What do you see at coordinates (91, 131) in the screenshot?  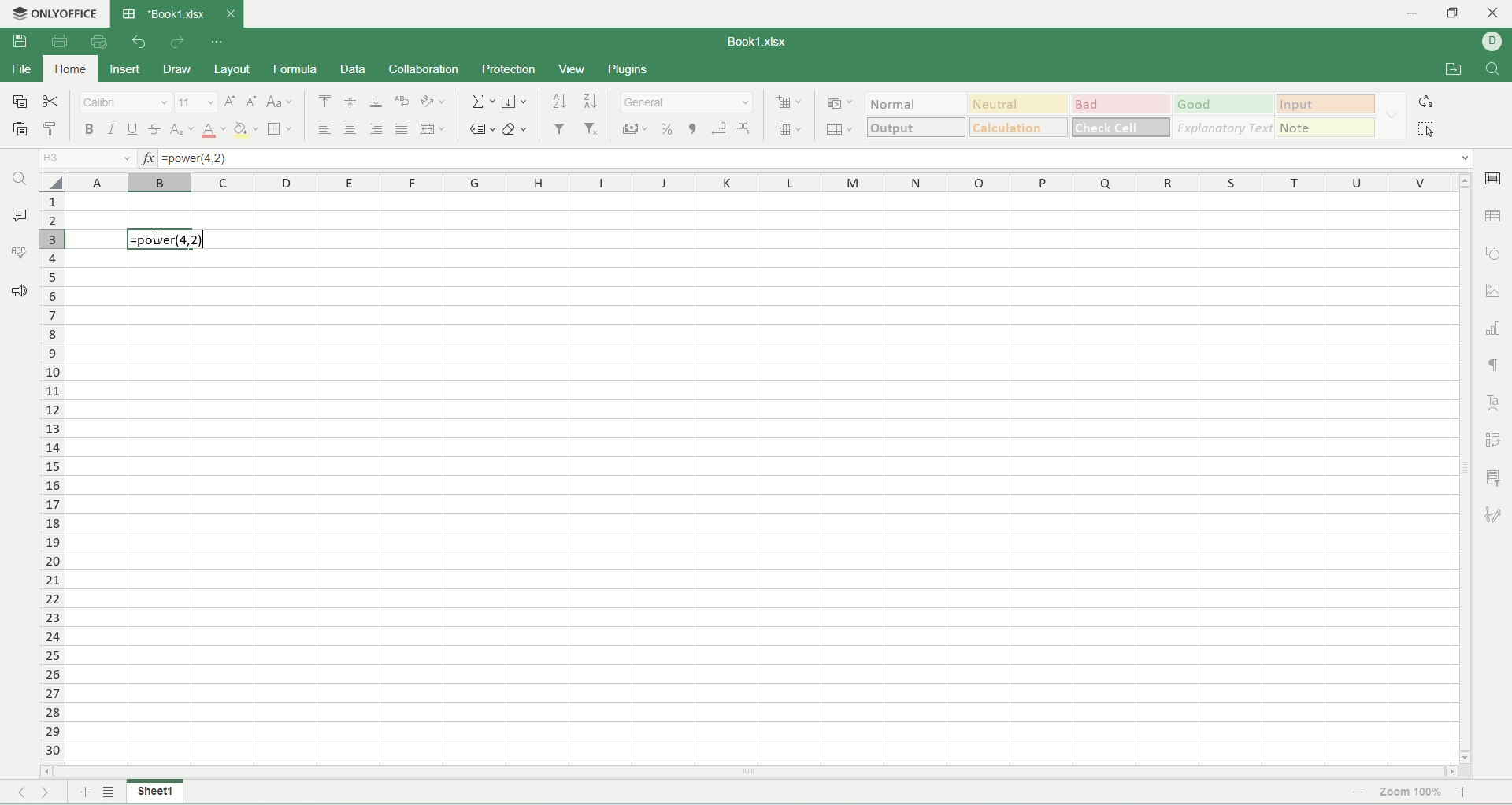 I see `bold` at bounding box center [91, 131].